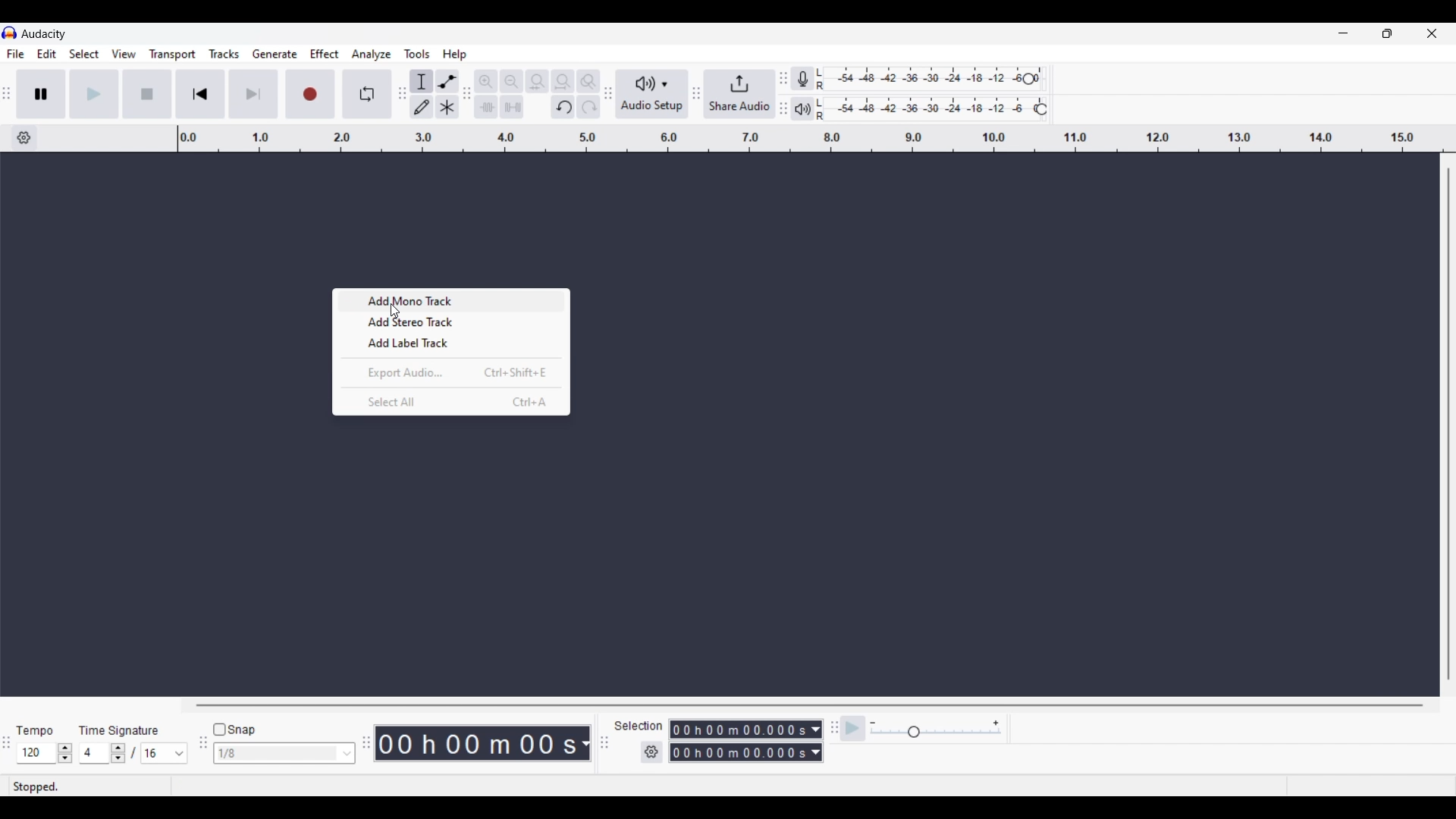 This screenshot has height=819, width=1456. I want to click on Selection settings, so click(652, 752).